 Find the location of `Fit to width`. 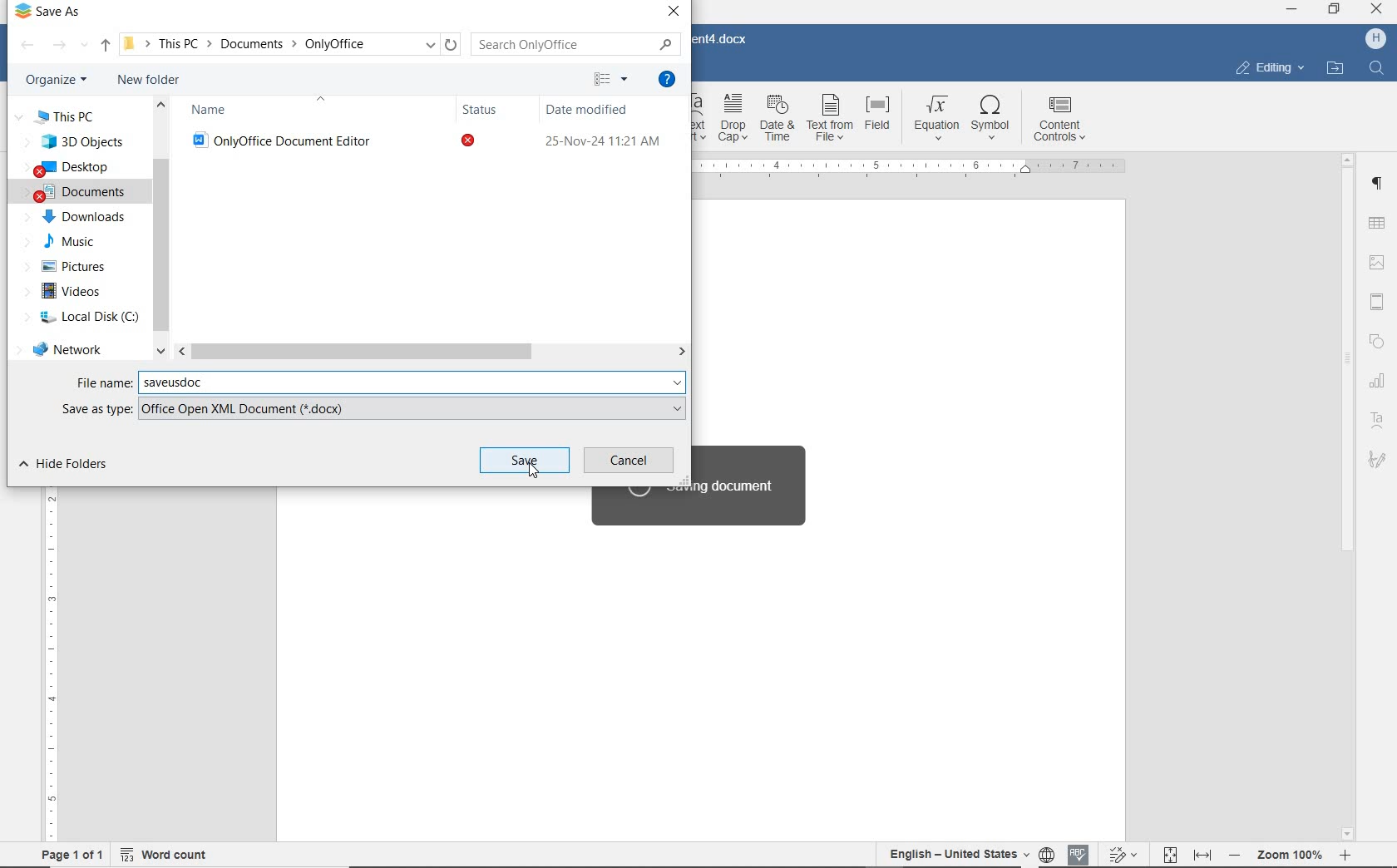

Fit to width is located at coordinates (1202, 855).